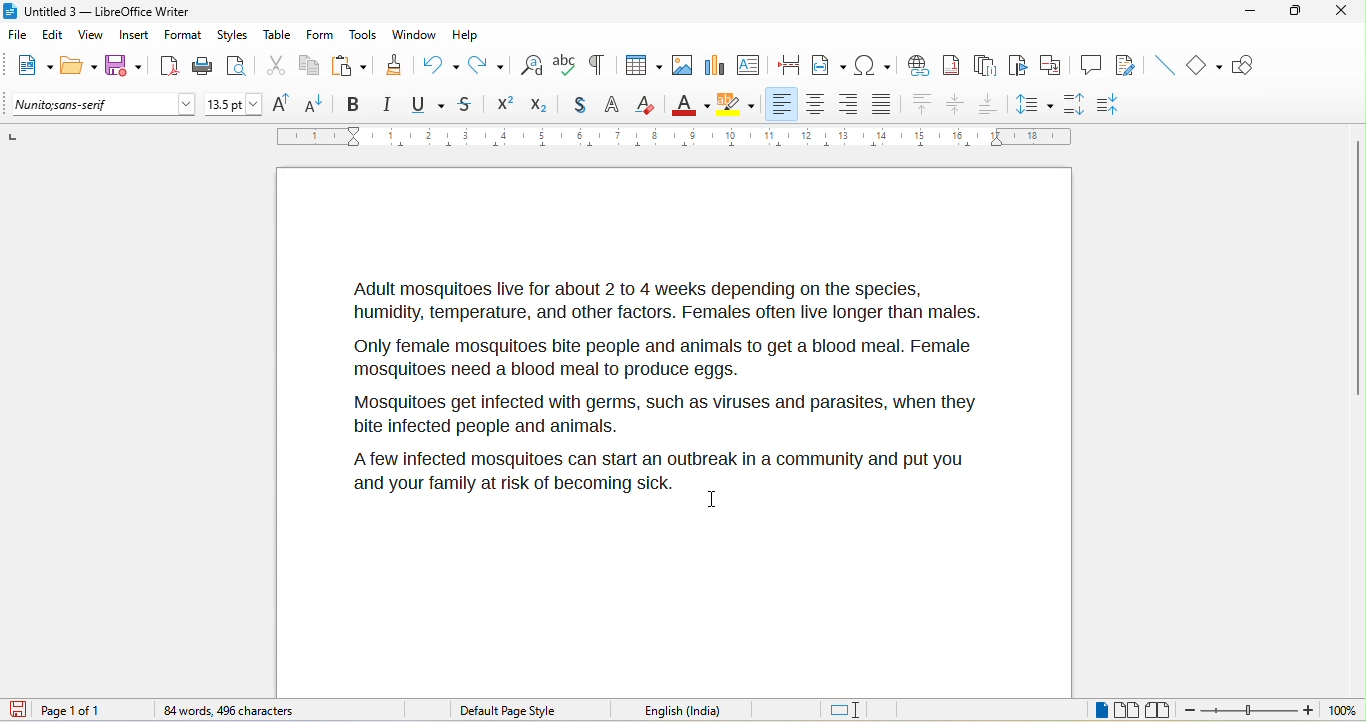 The width and height of the screenshot is (1366, 722). What do you see at coordinates (134, 37) in the screenshot?
I see `insert` at bounding box center [134, 37].